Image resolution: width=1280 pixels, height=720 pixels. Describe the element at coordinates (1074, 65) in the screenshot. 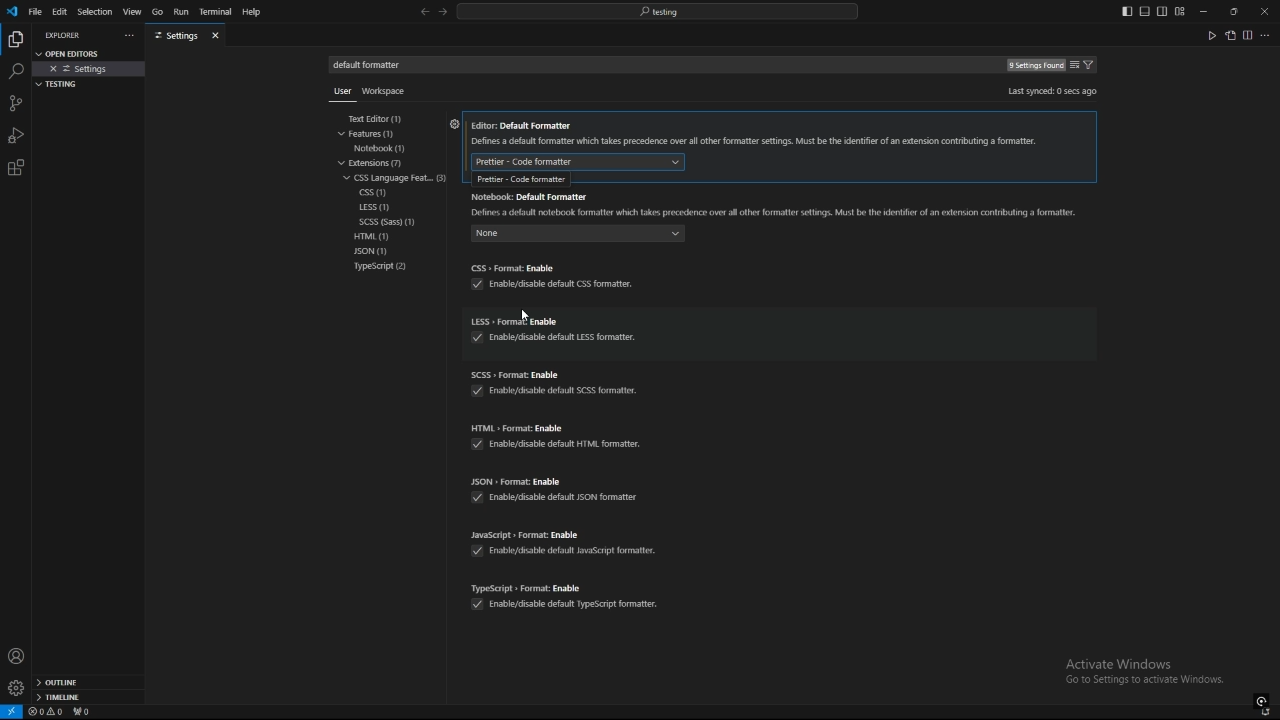

I see `change settings ` at that location.